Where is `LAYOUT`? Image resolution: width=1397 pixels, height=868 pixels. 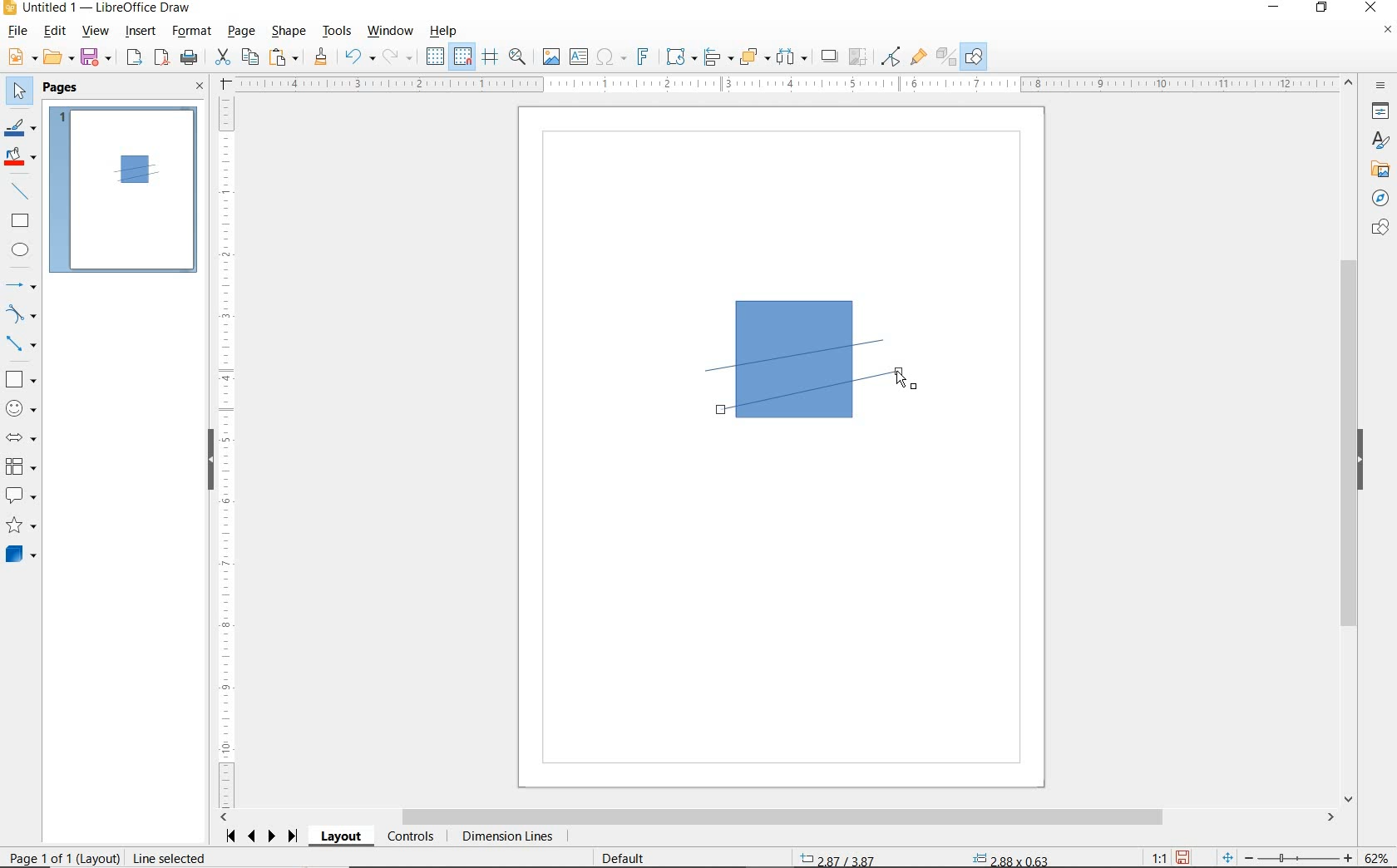 LAYOUT is located at coordinates (343, 836).